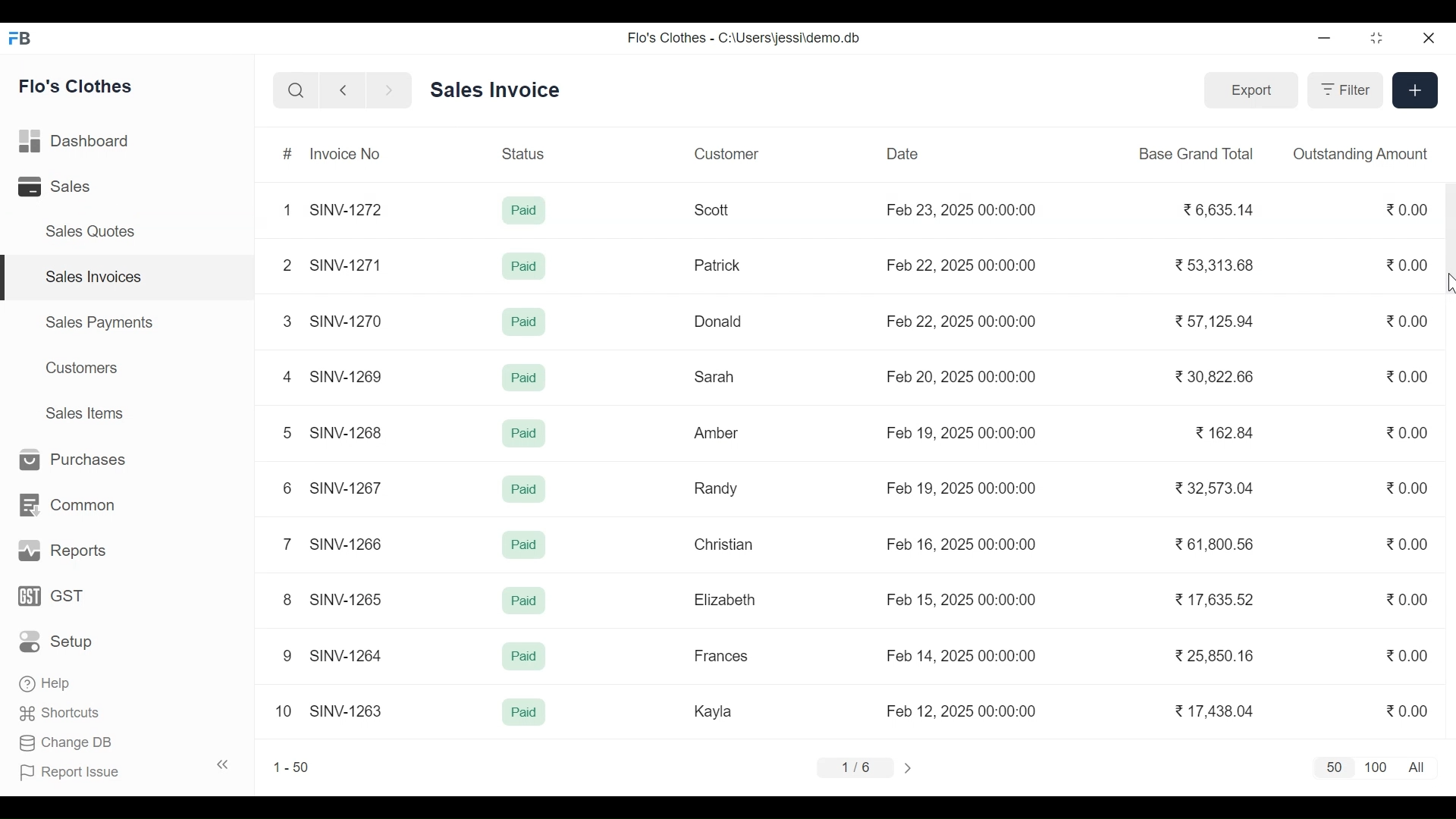 This screenshot has width=1456, height=819. Describe the element at coordinates (88, 231) in the screenshot. I see `Sales Quotes` at that location.